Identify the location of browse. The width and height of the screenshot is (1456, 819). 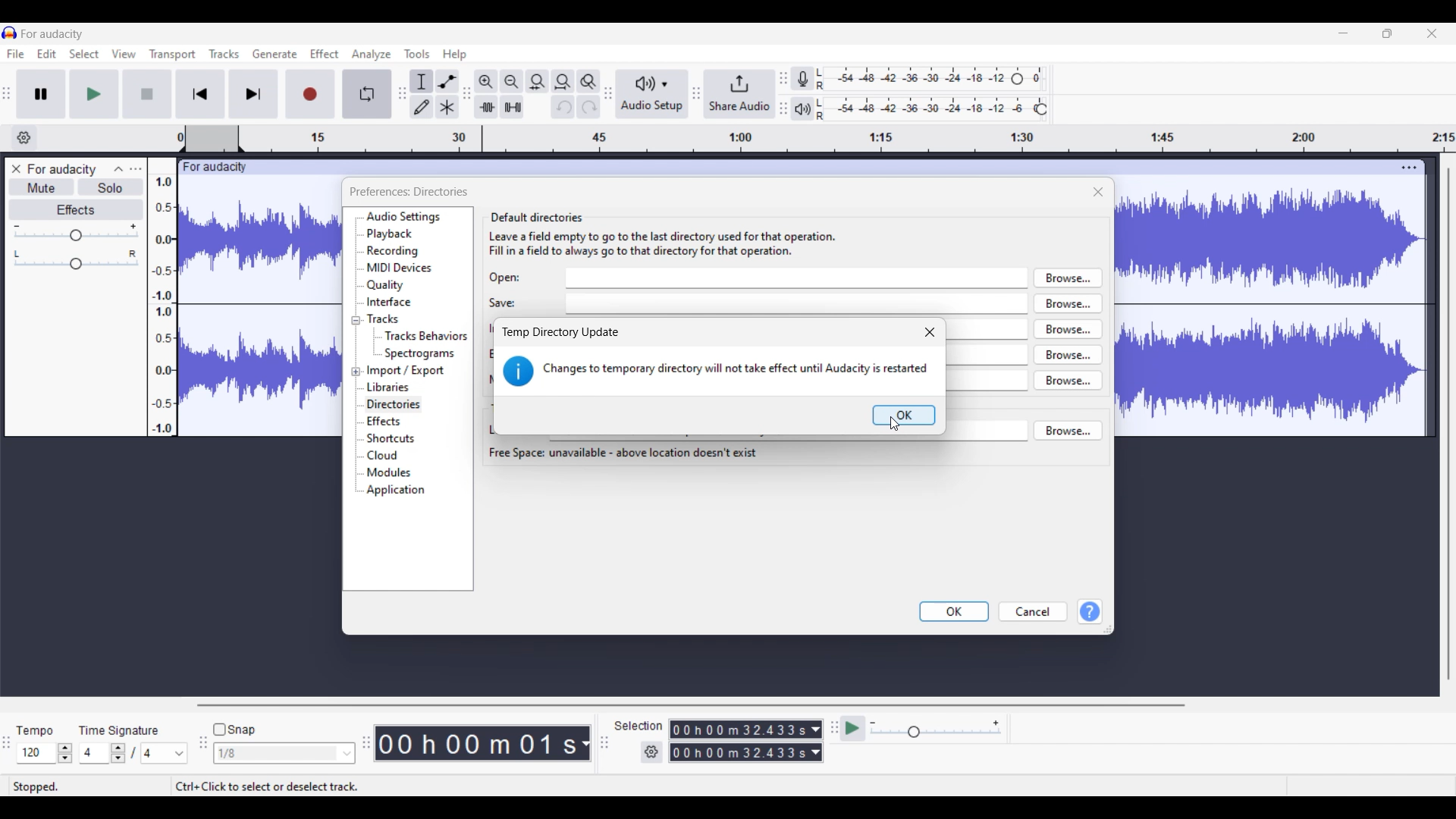
(1068, 429).